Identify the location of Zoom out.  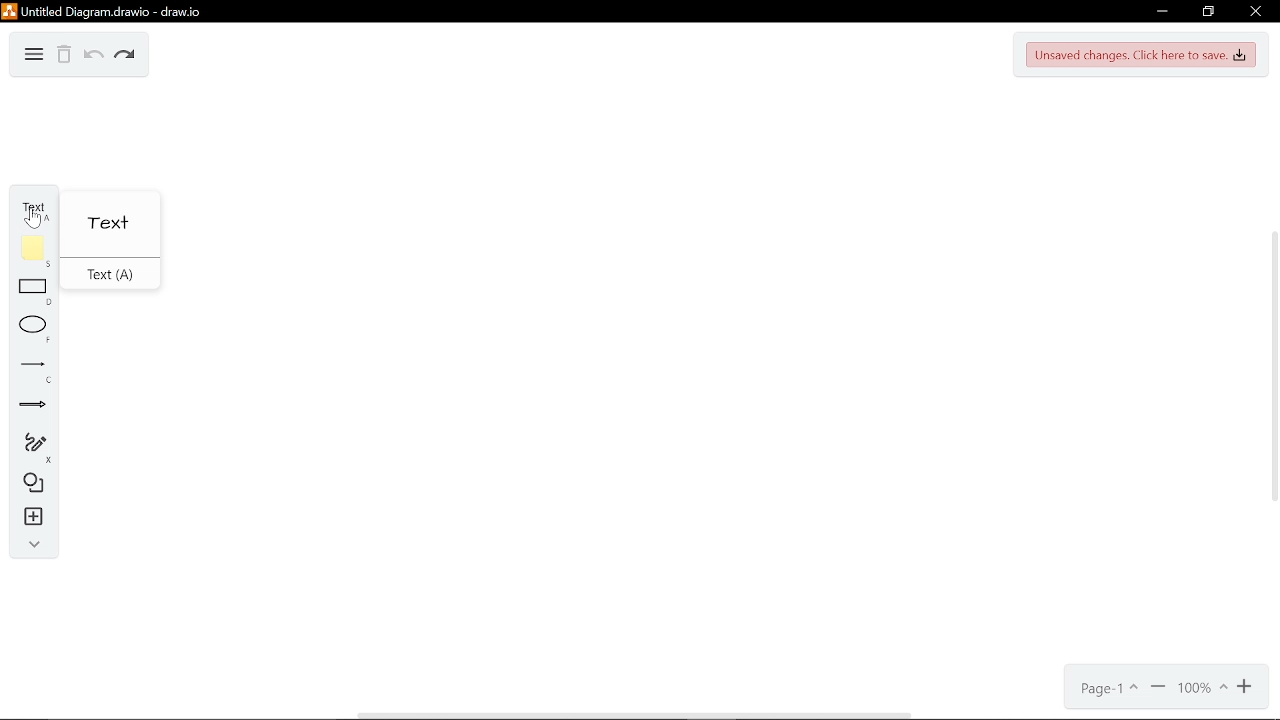
(1158, 688).